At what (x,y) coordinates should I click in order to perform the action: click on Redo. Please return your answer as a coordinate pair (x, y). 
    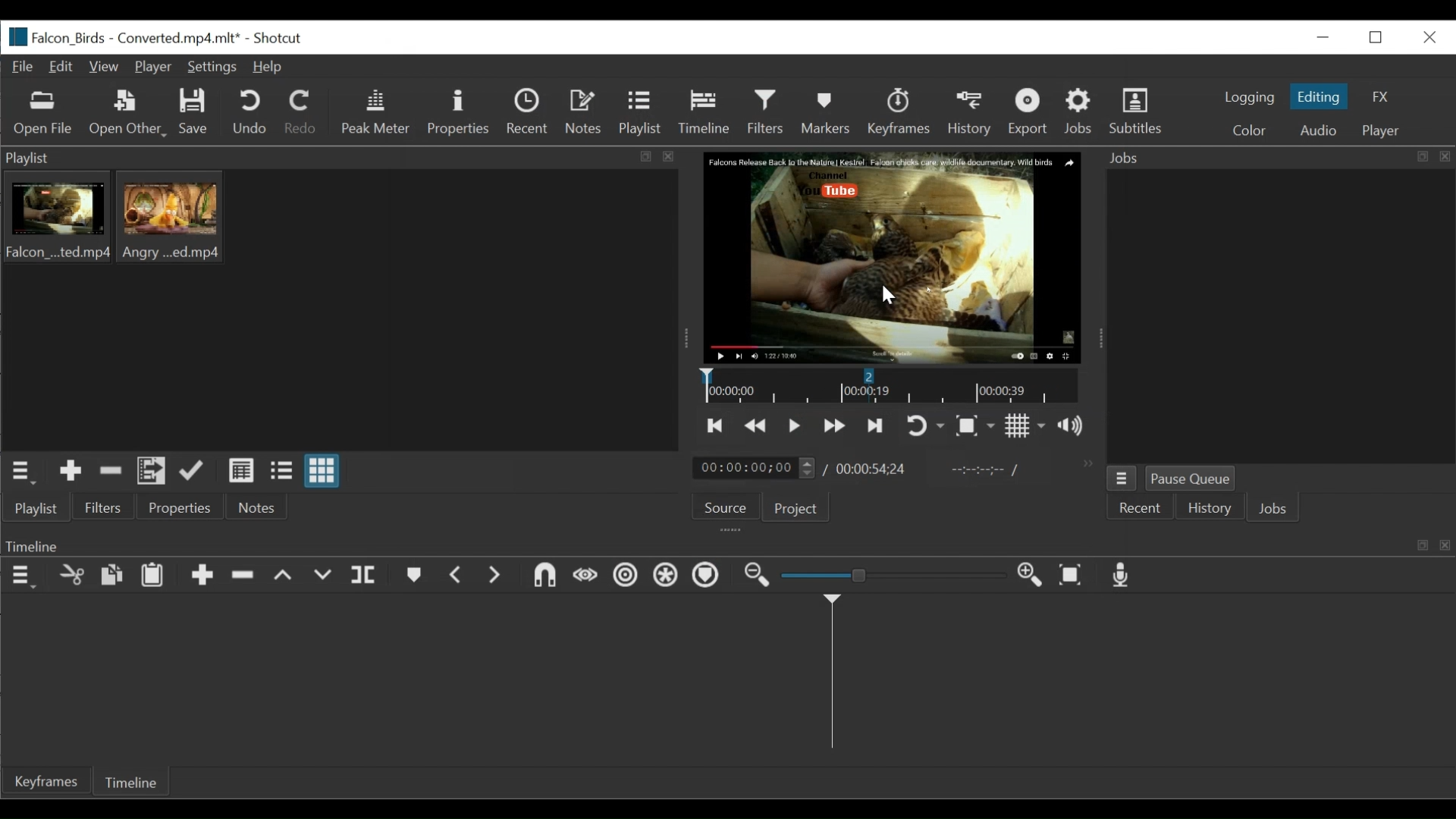
    Looking at the image, I should click on (303, 111).